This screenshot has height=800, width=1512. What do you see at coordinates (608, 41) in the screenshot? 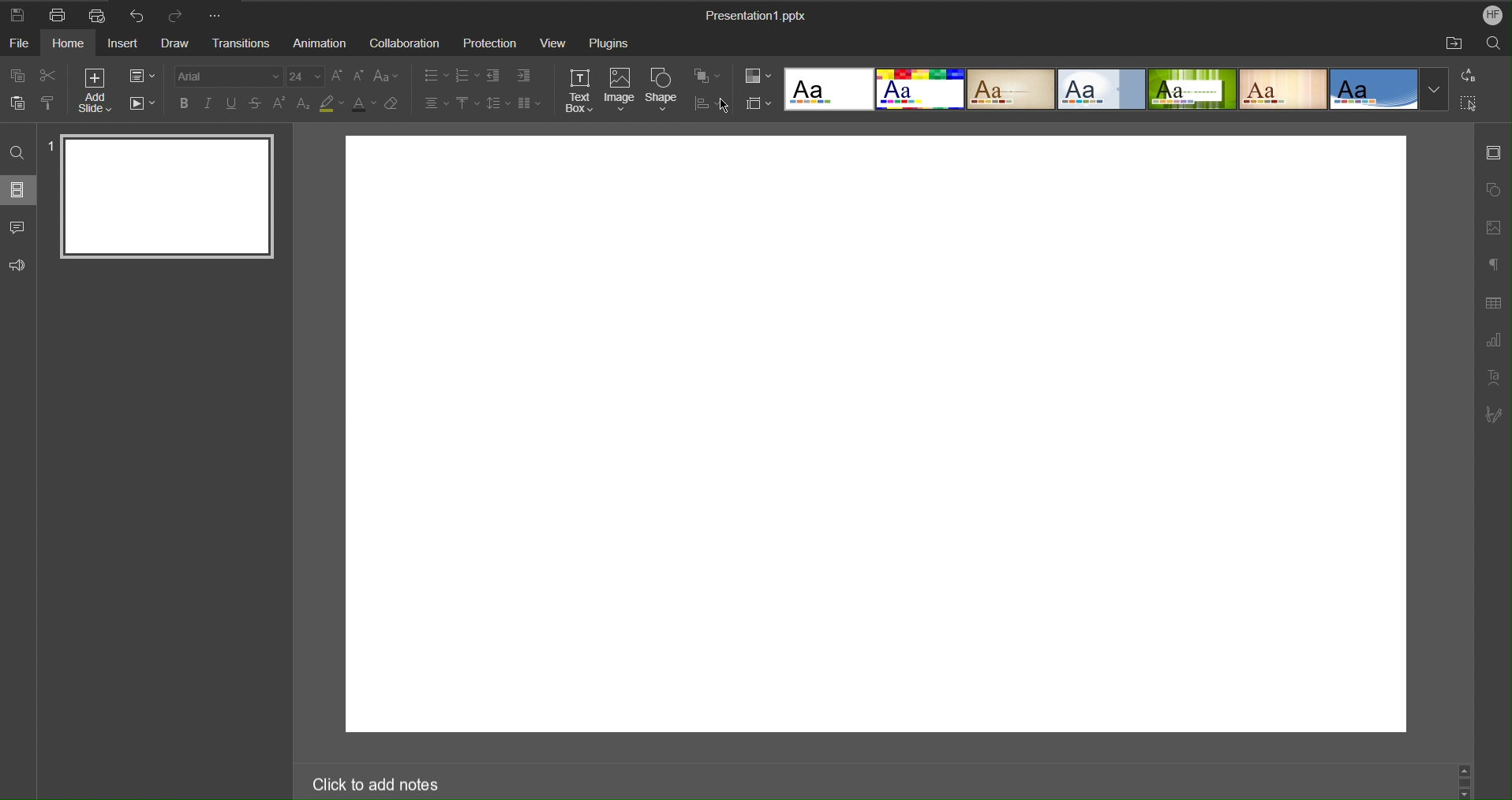
I see `Plugins` at bounding box center [608, 41].